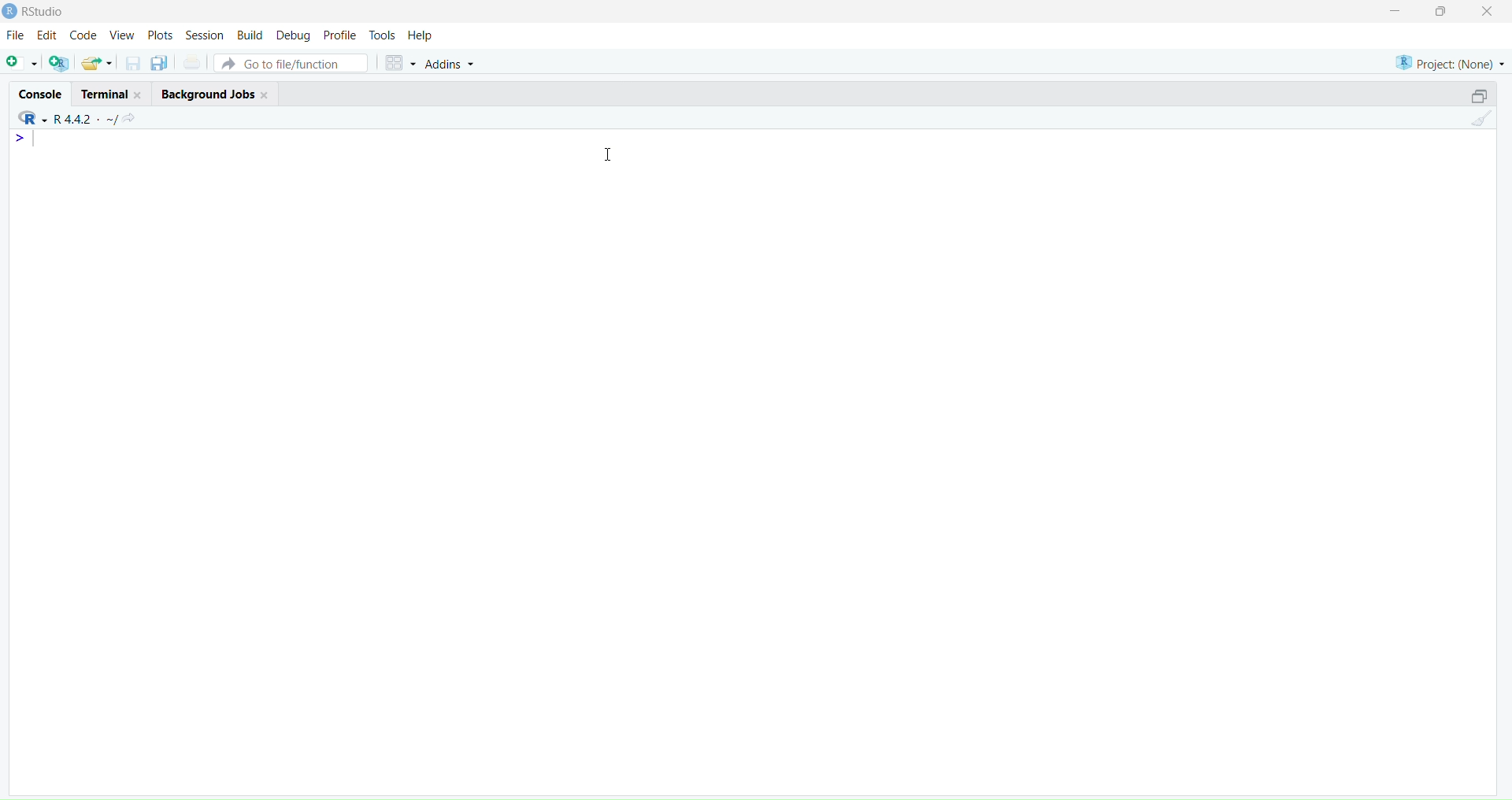  What do you see at coordinates (1485, 122) in the screenshot?
I see `clear` at bounding box center [1485, 122].